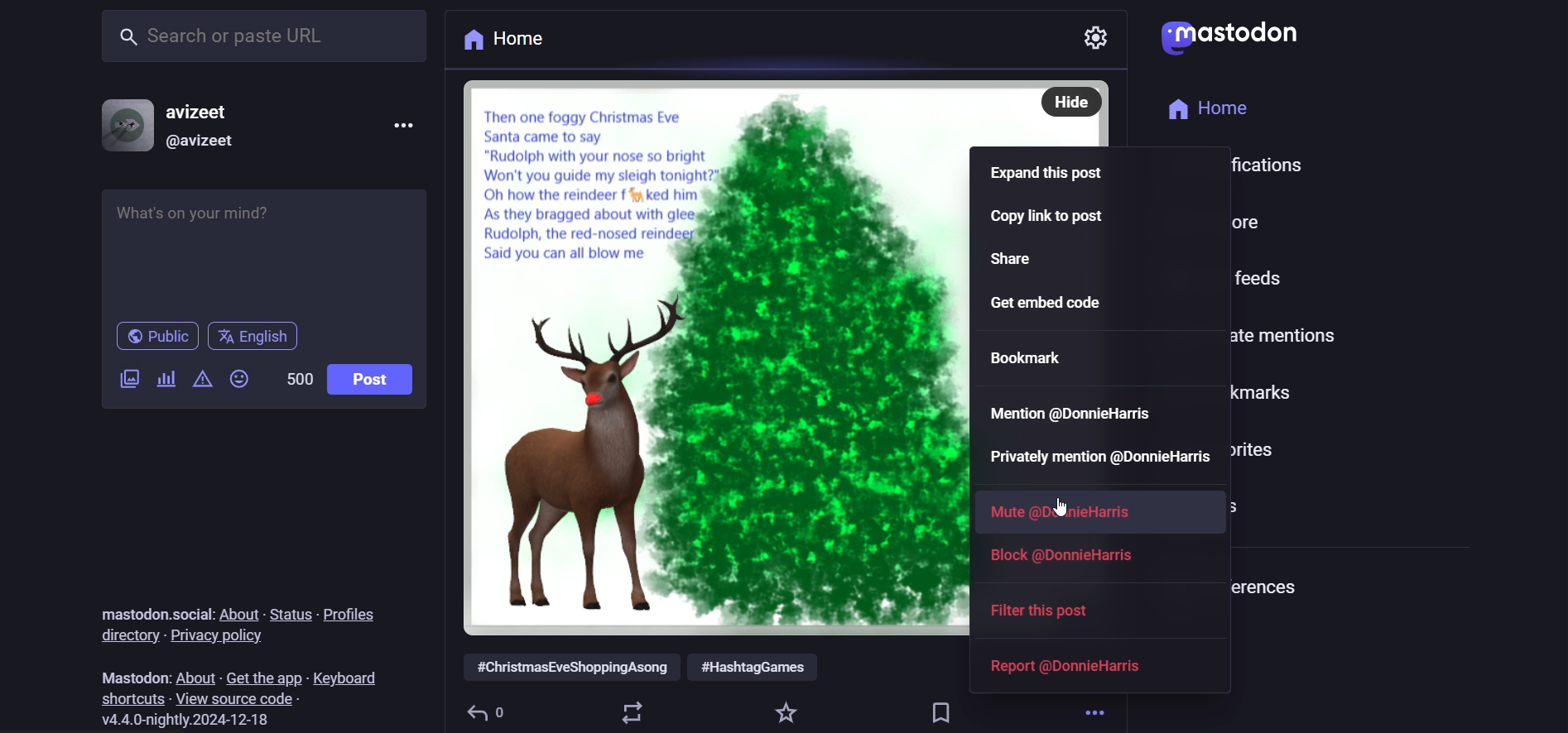 This screenshot has width=1568, height=733. Describe the element at coordinates (130, 698) in the screenshot. I see `shortcut` at that location.